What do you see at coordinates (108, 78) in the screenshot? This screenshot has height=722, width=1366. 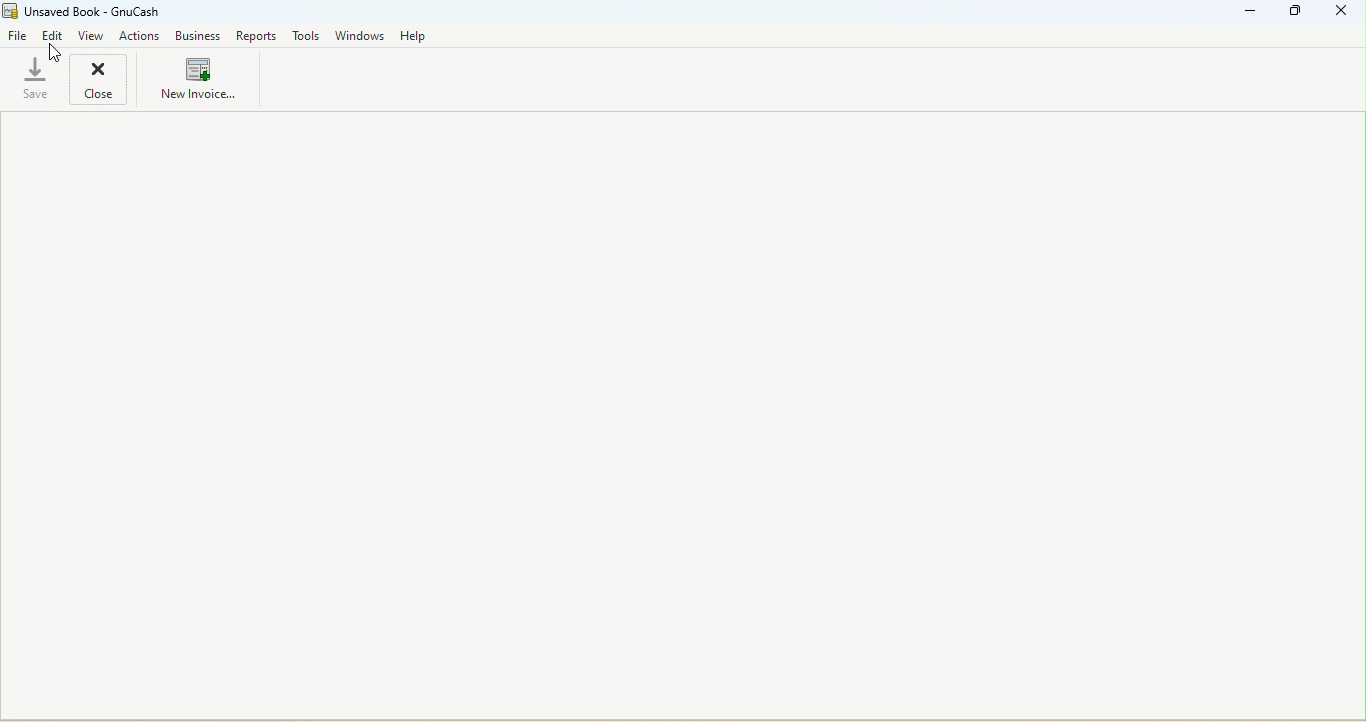 I see `Close` at bounding box center [108, 78].